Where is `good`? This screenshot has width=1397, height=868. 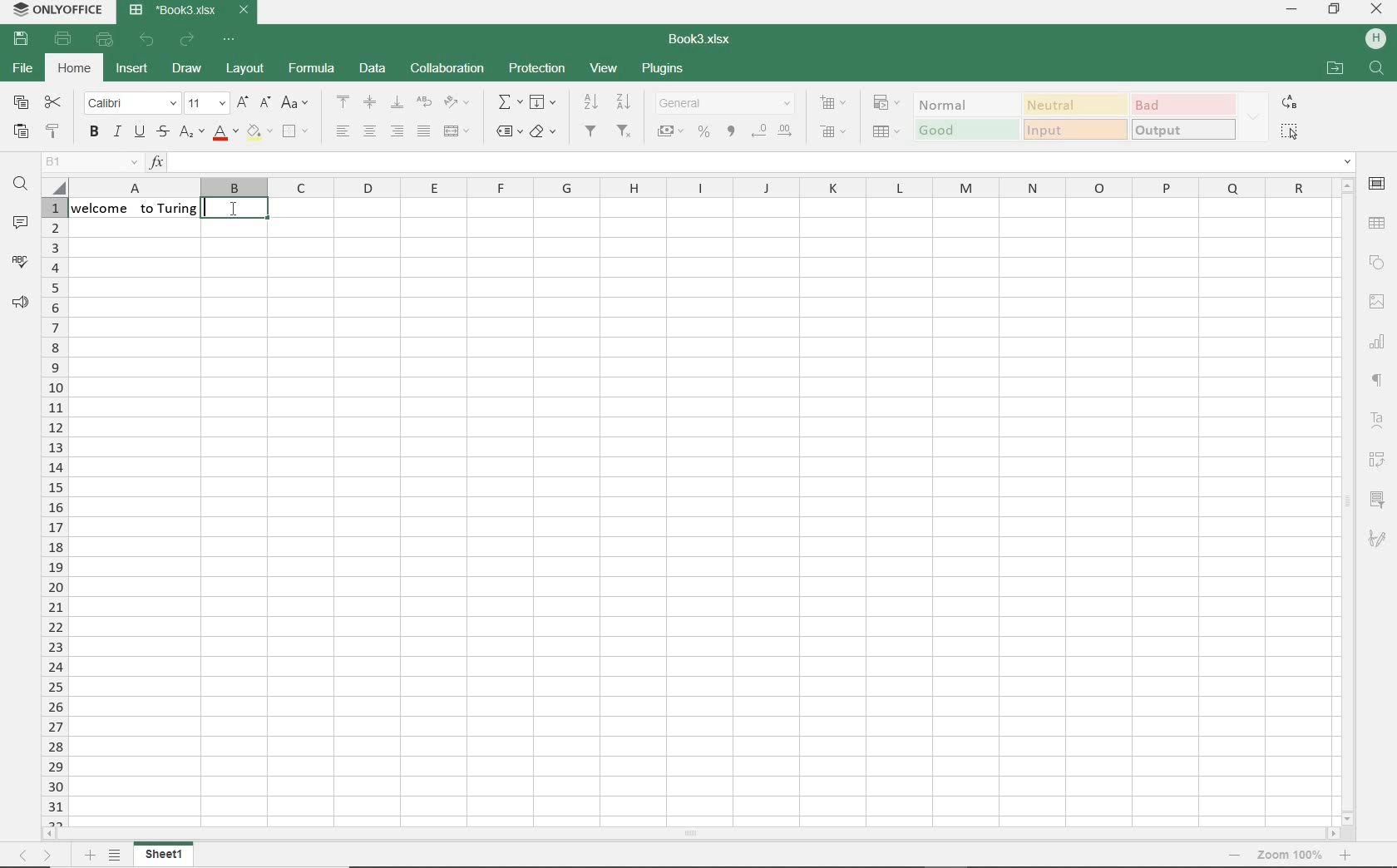 good is located at coordinates (965, 131).